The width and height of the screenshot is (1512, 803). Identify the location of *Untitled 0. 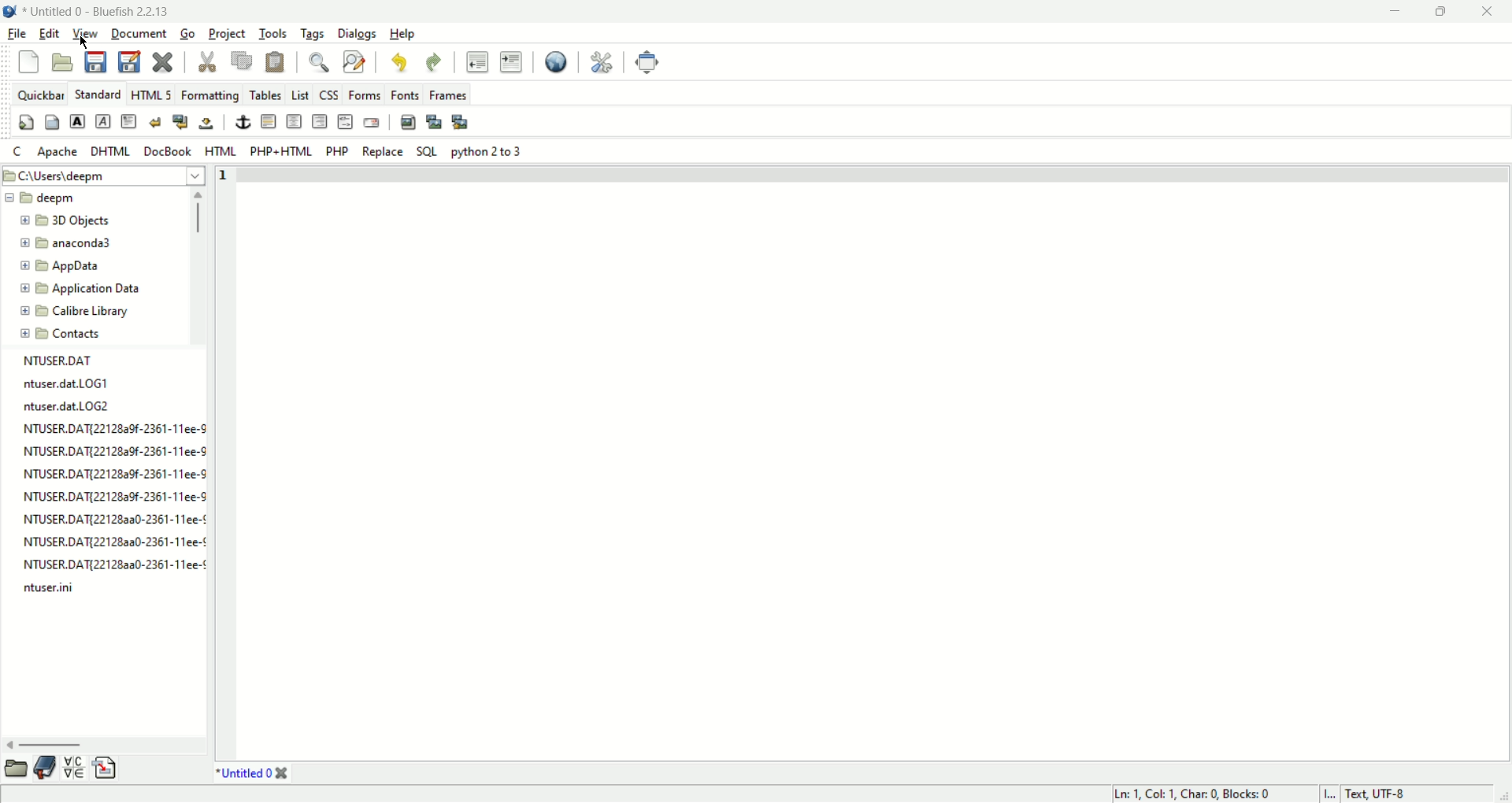
(244, 775).